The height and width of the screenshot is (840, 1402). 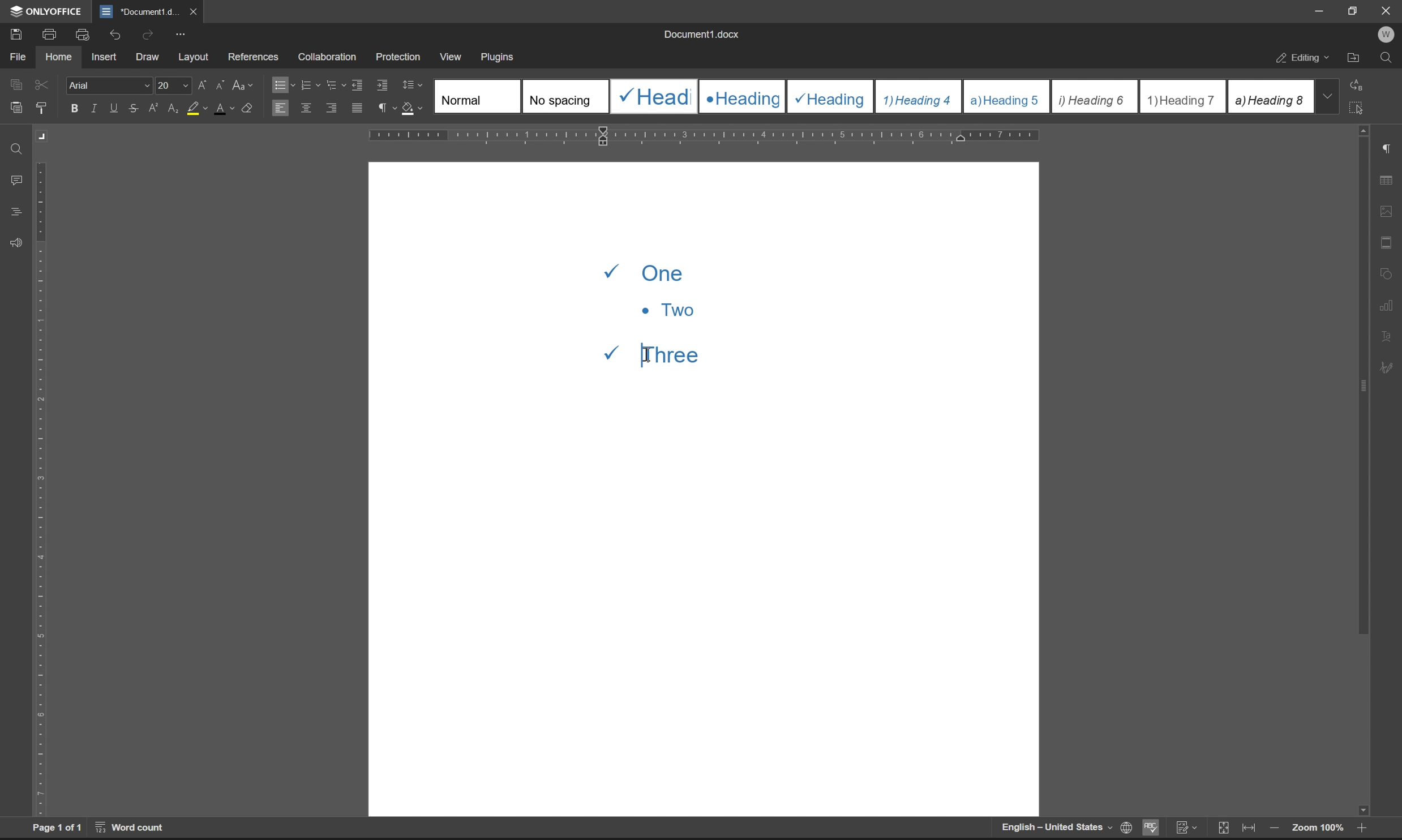 I want to click on page 1 of 1, so click(x=57, y=828).